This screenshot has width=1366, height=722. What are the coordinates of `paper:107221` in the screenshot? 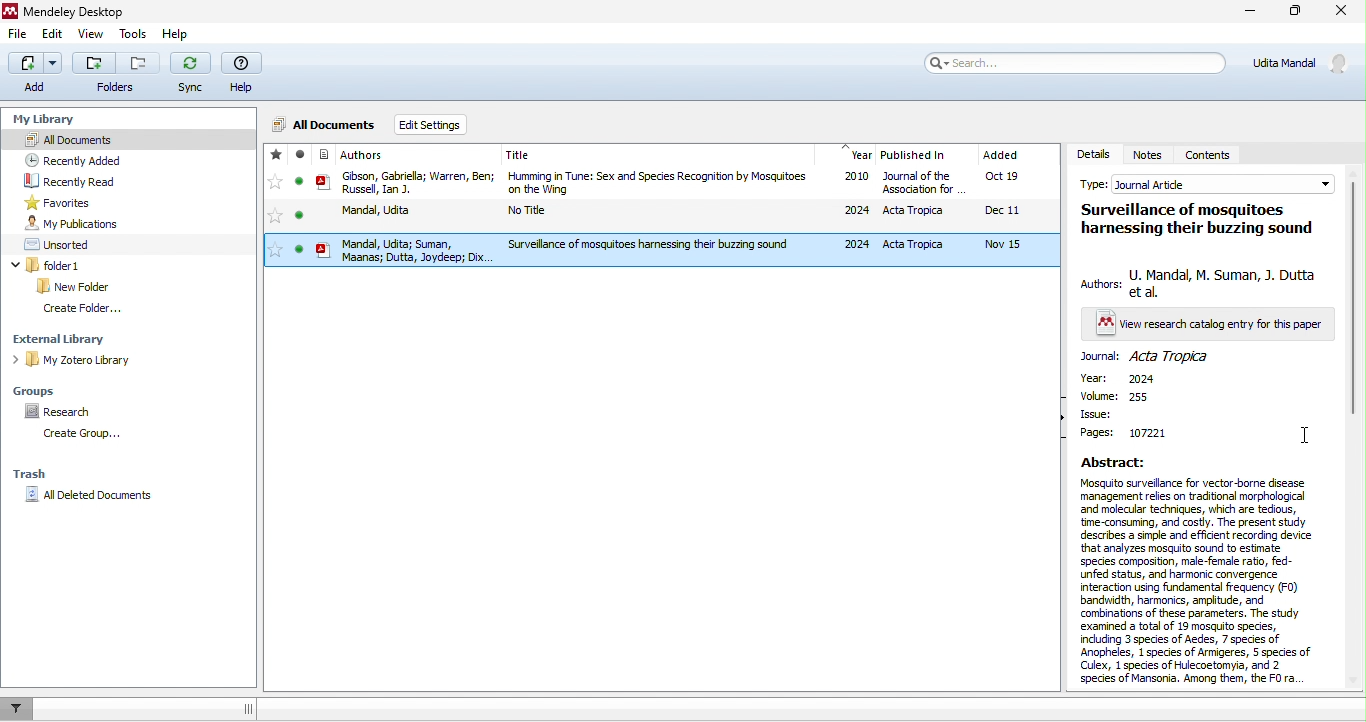 It's located at (1137, 438).